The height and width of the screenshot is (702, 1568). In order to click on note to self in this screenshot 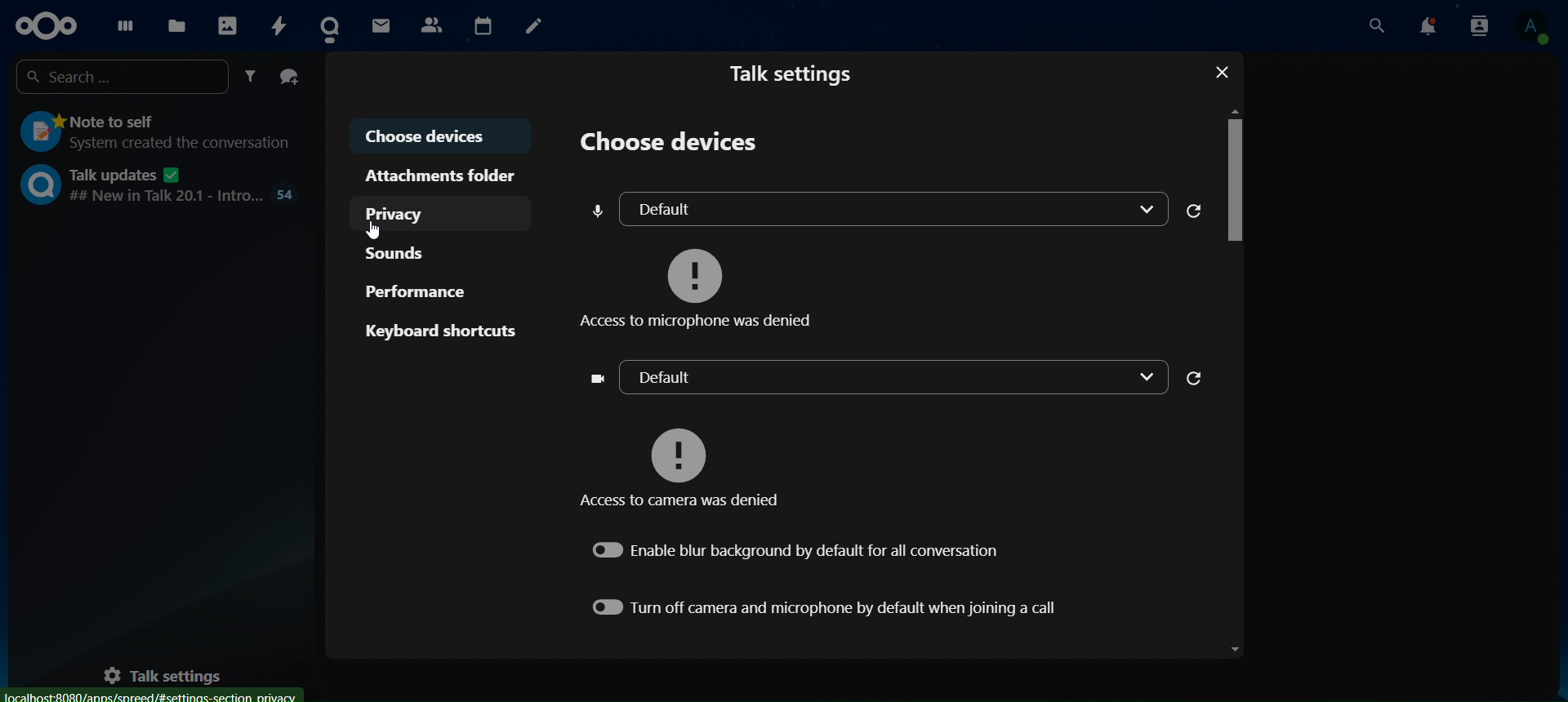, I will do `click(154, 133)`.